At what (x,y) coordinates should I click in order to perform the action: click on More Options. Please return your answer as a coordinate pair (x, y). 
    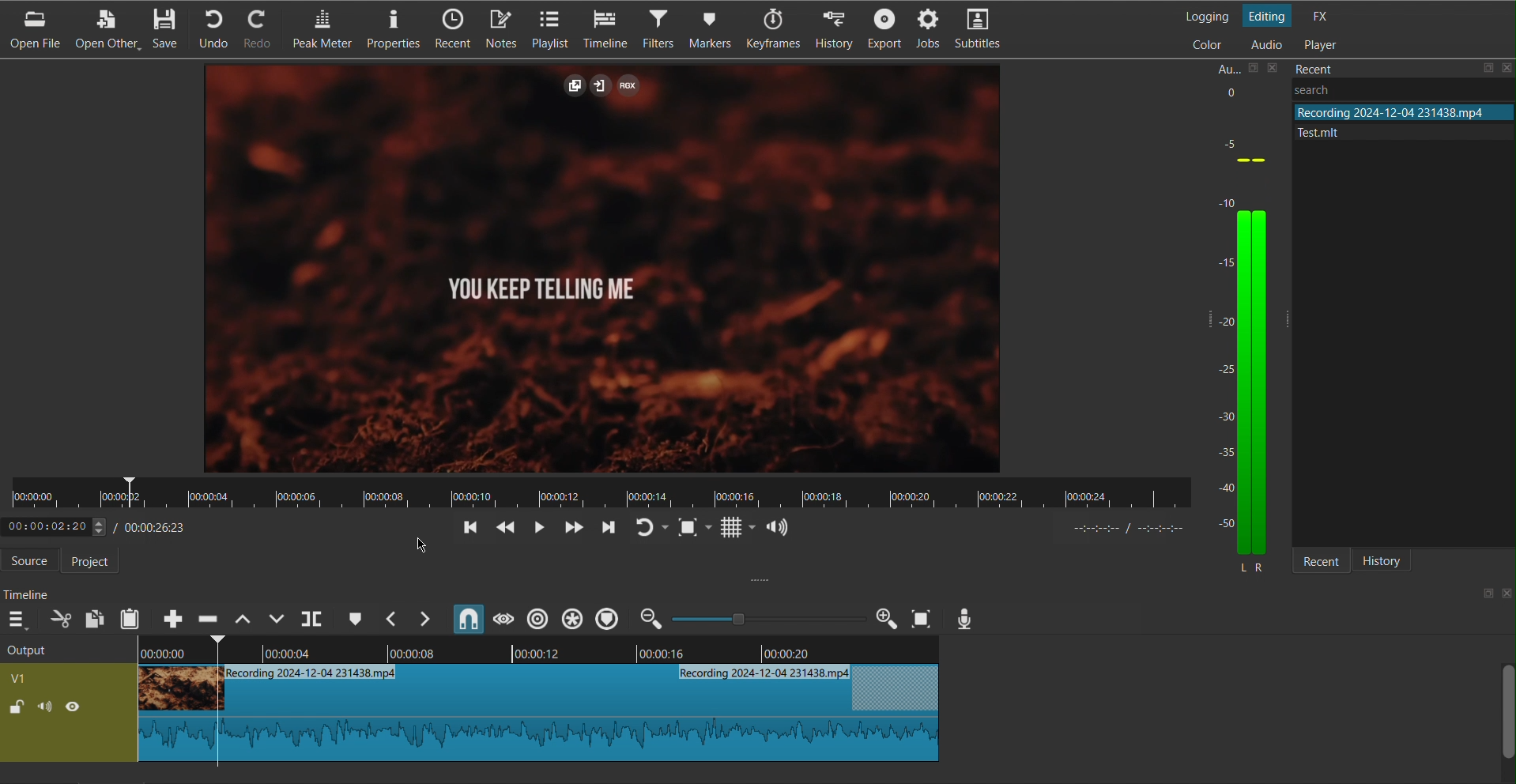
    Looking at the image, I should click on (19, 618).